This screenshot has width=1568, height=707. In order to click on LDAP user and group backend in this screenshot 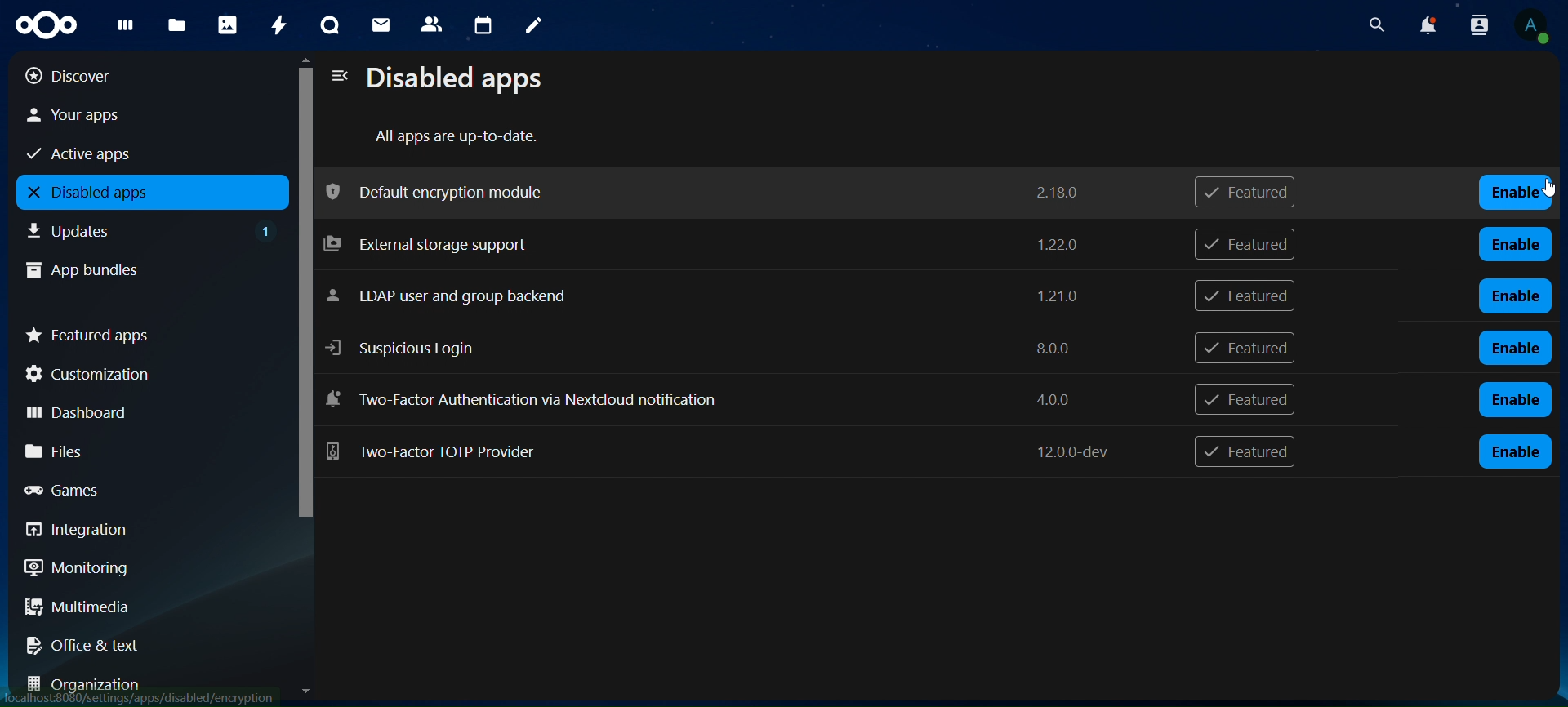, I will do `click(711, 296)`.